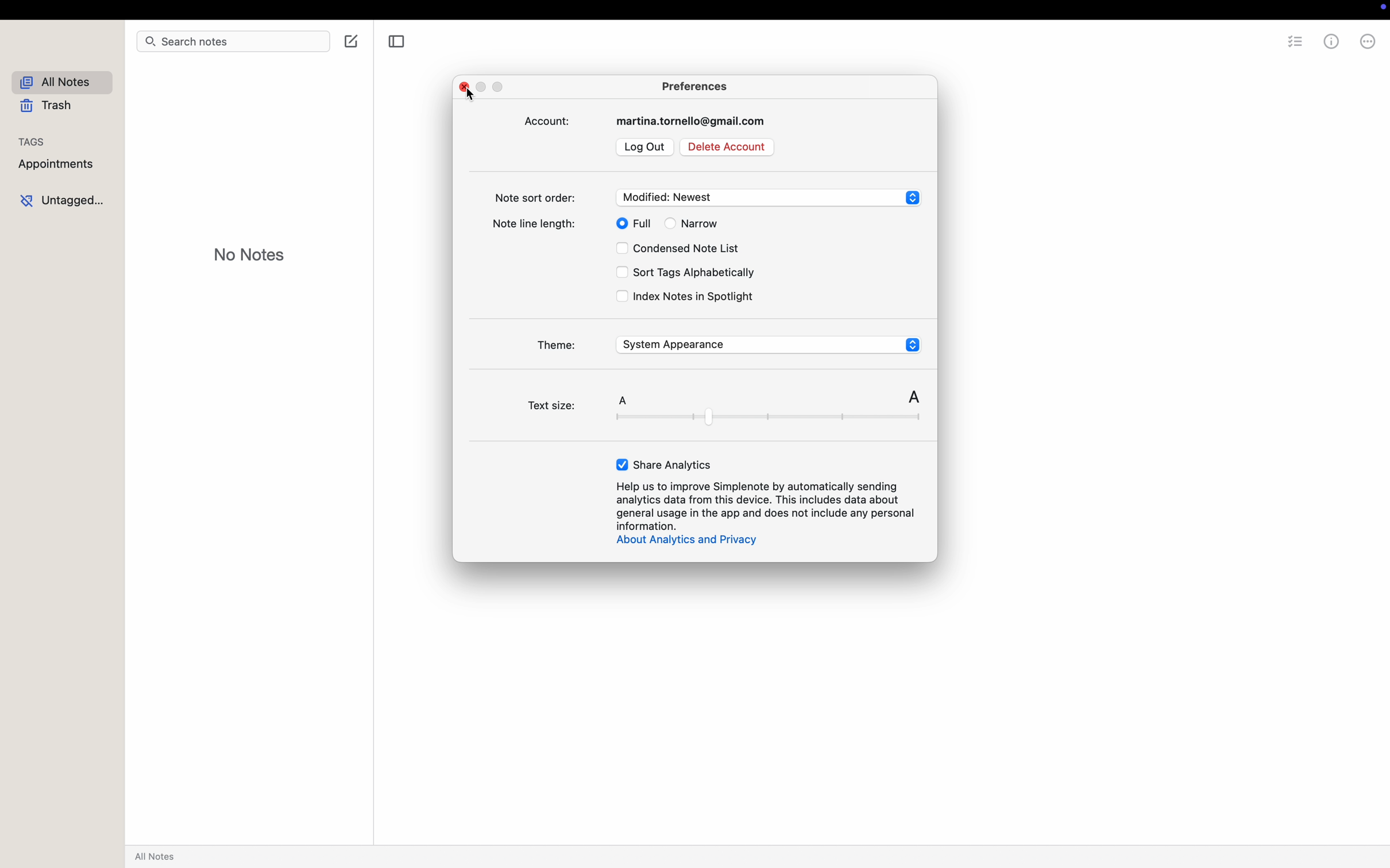 The height and width of the screenshot is (868, 1390). What do you see at coordinates (767, 506) in the screenshot?
I see `Help us to improve Simplenote by automatically sending analytics data from this device...` at bounding box center [767, 506].